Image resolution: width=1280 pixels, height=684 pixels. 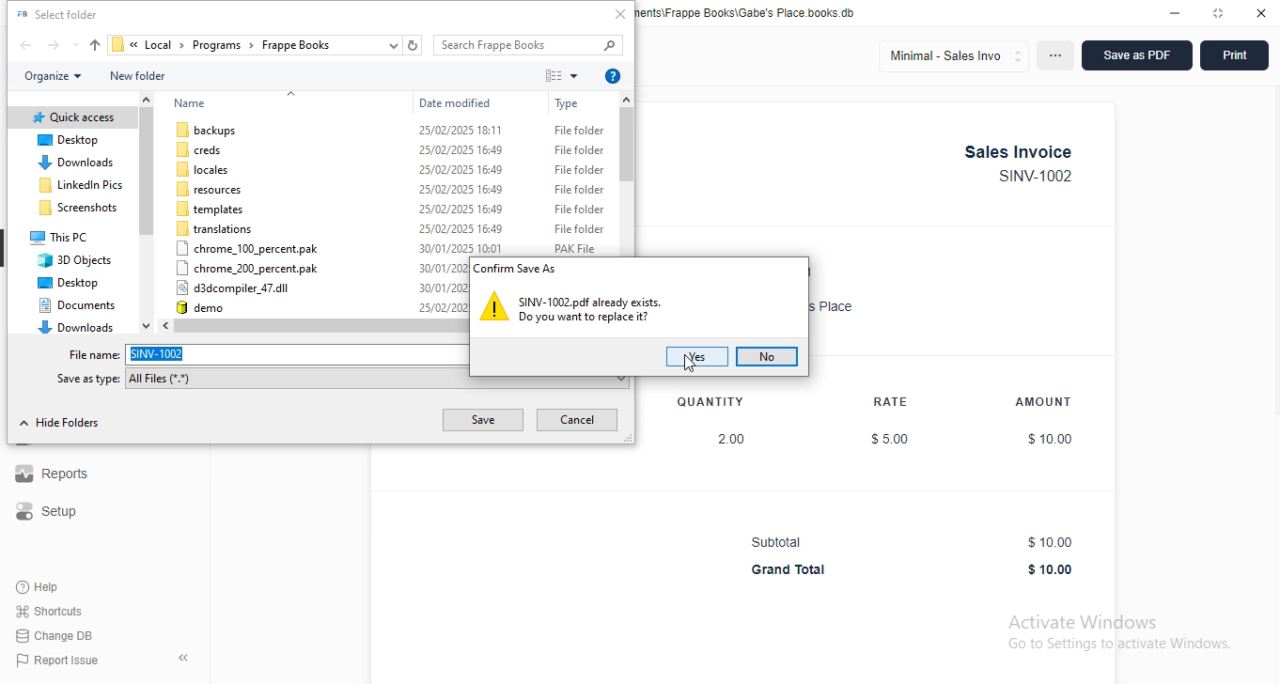 What do you see at coordinates (790, 570) in the screenshot?
I see `Grand Total` at bounding box center [790, 570].